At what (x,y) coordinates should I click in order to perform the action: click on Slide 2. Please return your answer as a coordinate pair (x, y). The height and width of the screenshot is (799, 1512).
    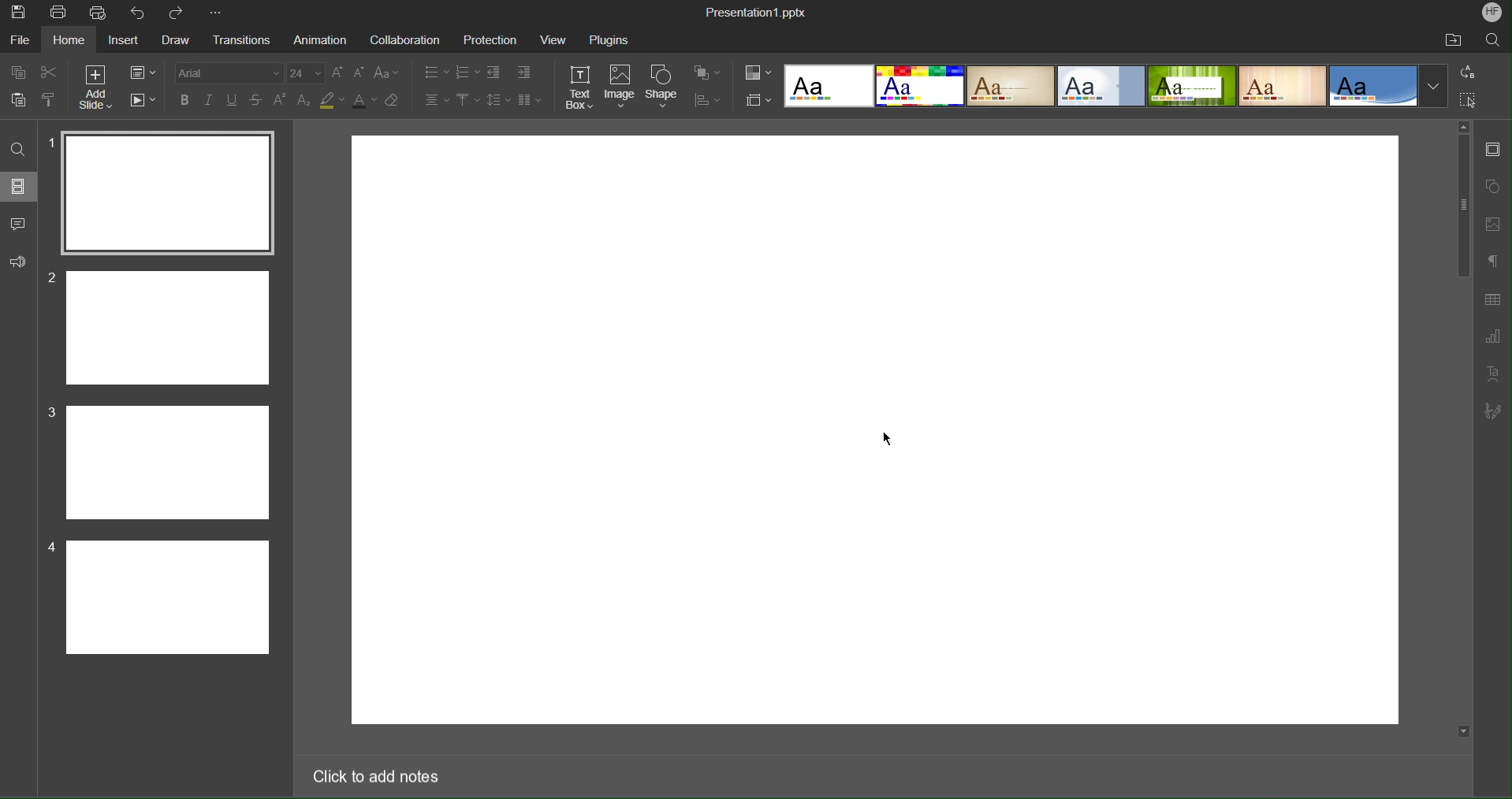
    Looking at the image, I should click on (163, 329).